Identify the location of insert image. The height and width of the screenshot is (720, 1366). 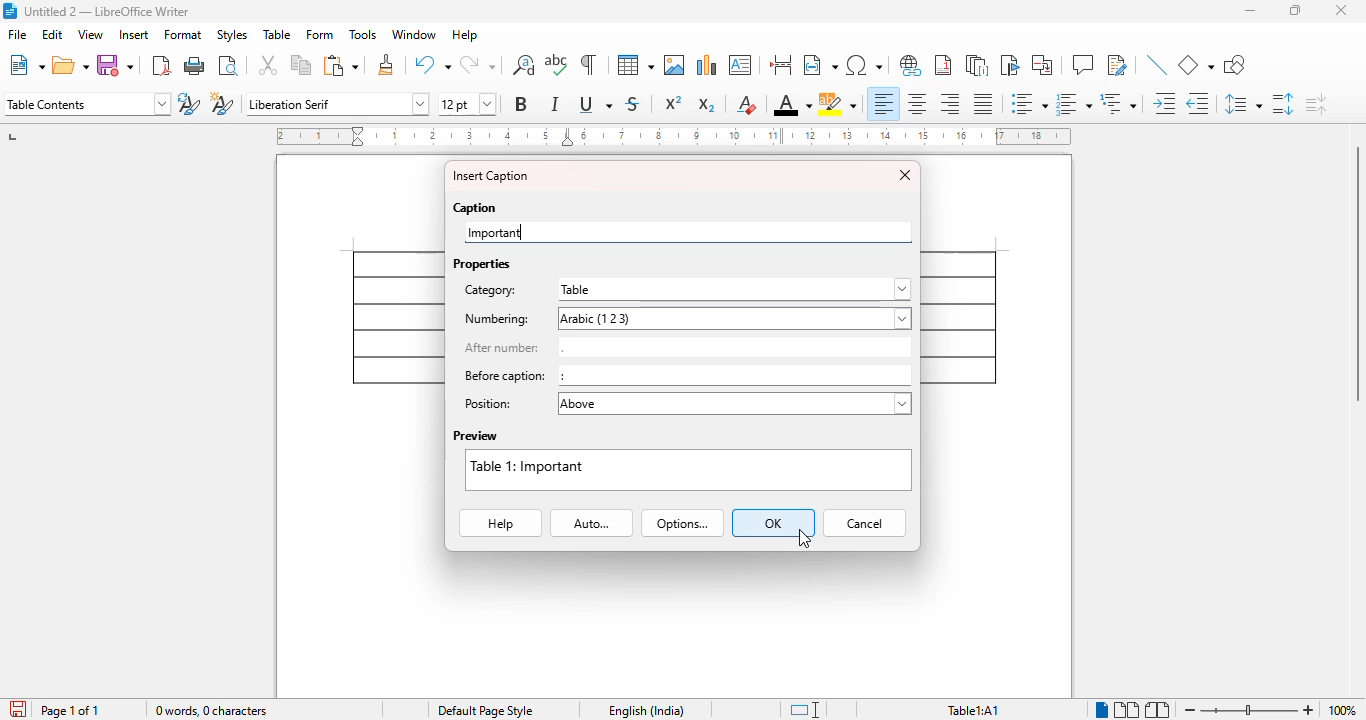
(675, 65).